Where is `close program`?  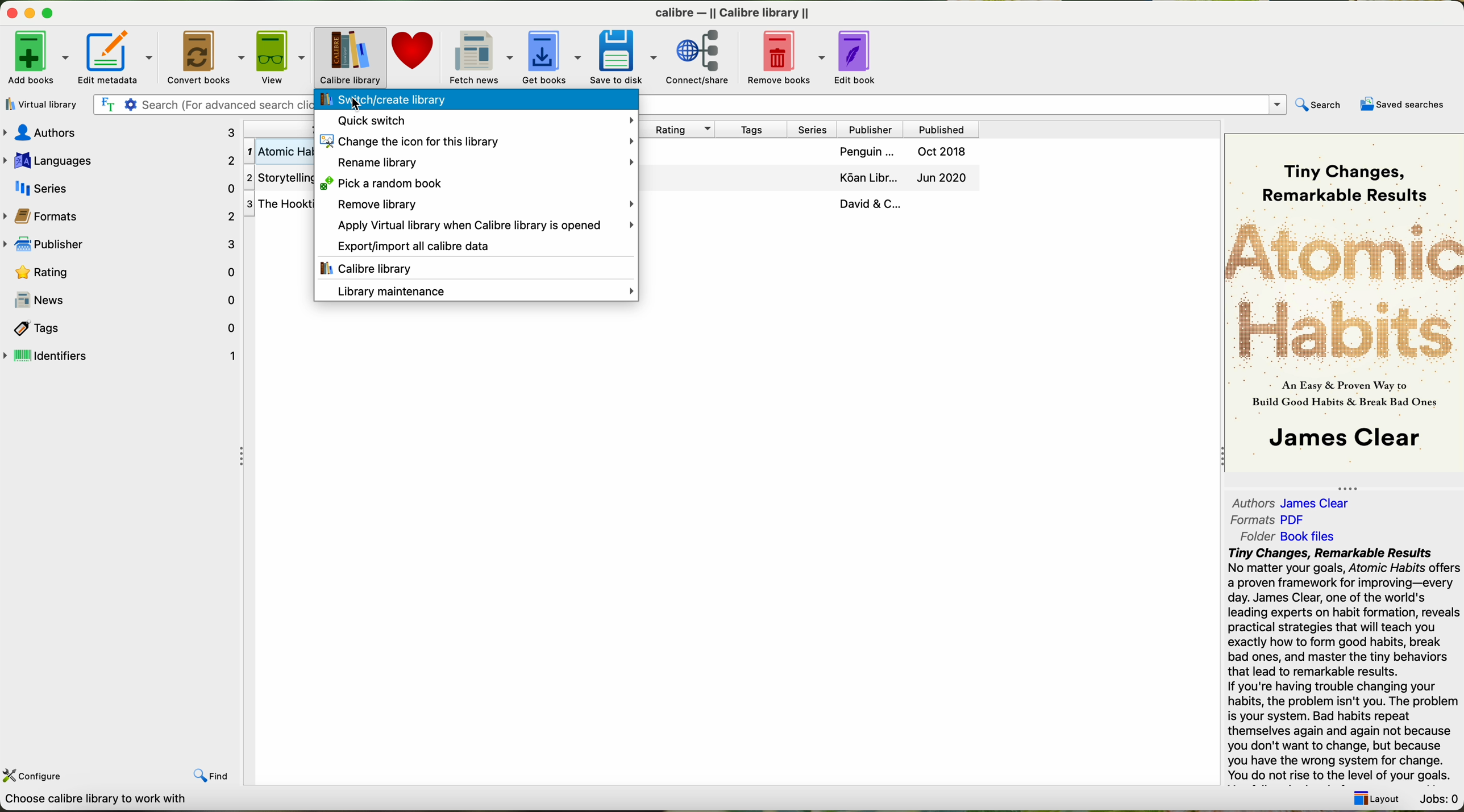
close program is located at coordinates (10, 13).